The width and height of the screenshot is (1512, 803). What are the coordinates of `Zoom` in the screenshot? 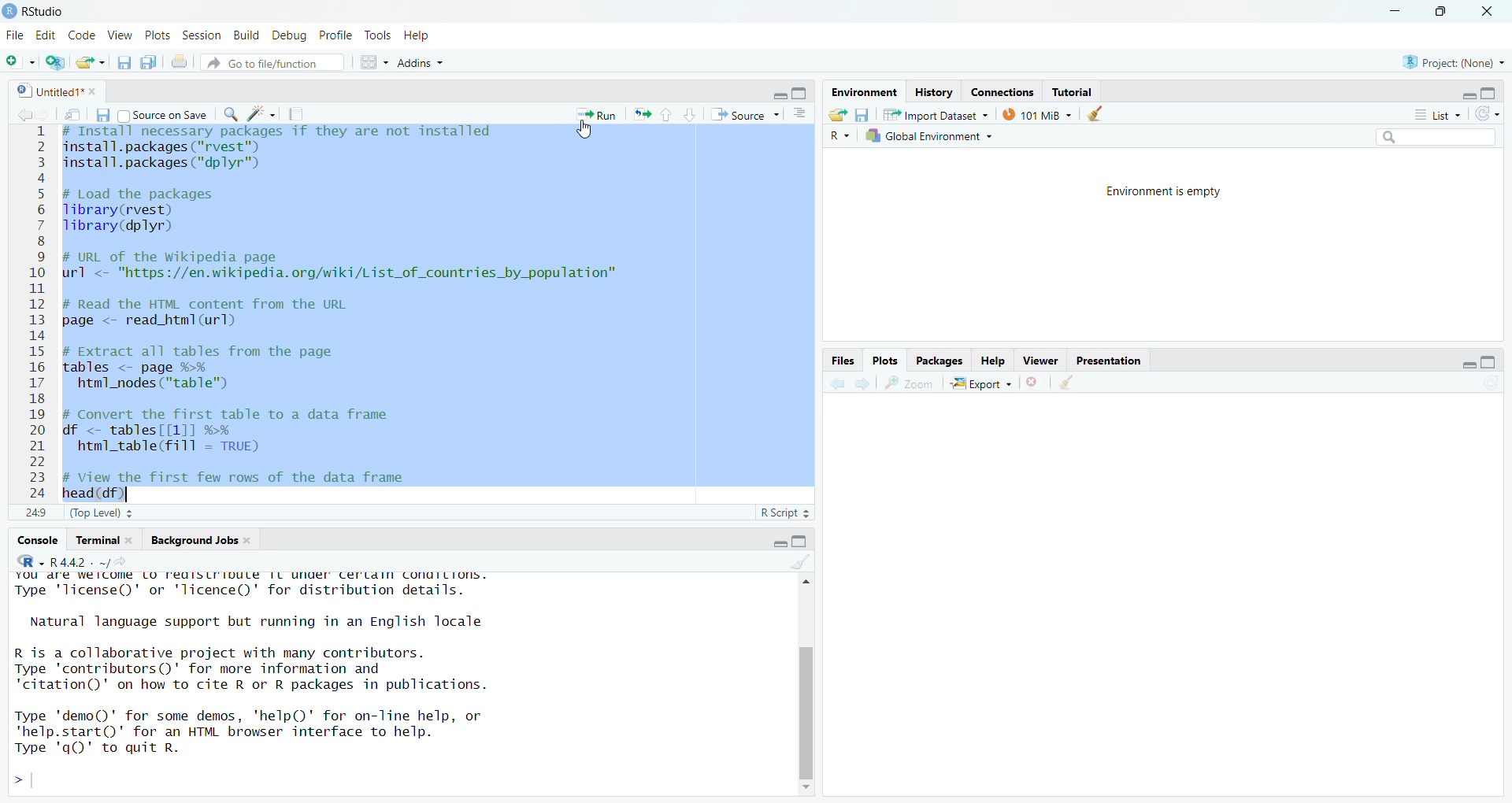 It's located at (910, 383).